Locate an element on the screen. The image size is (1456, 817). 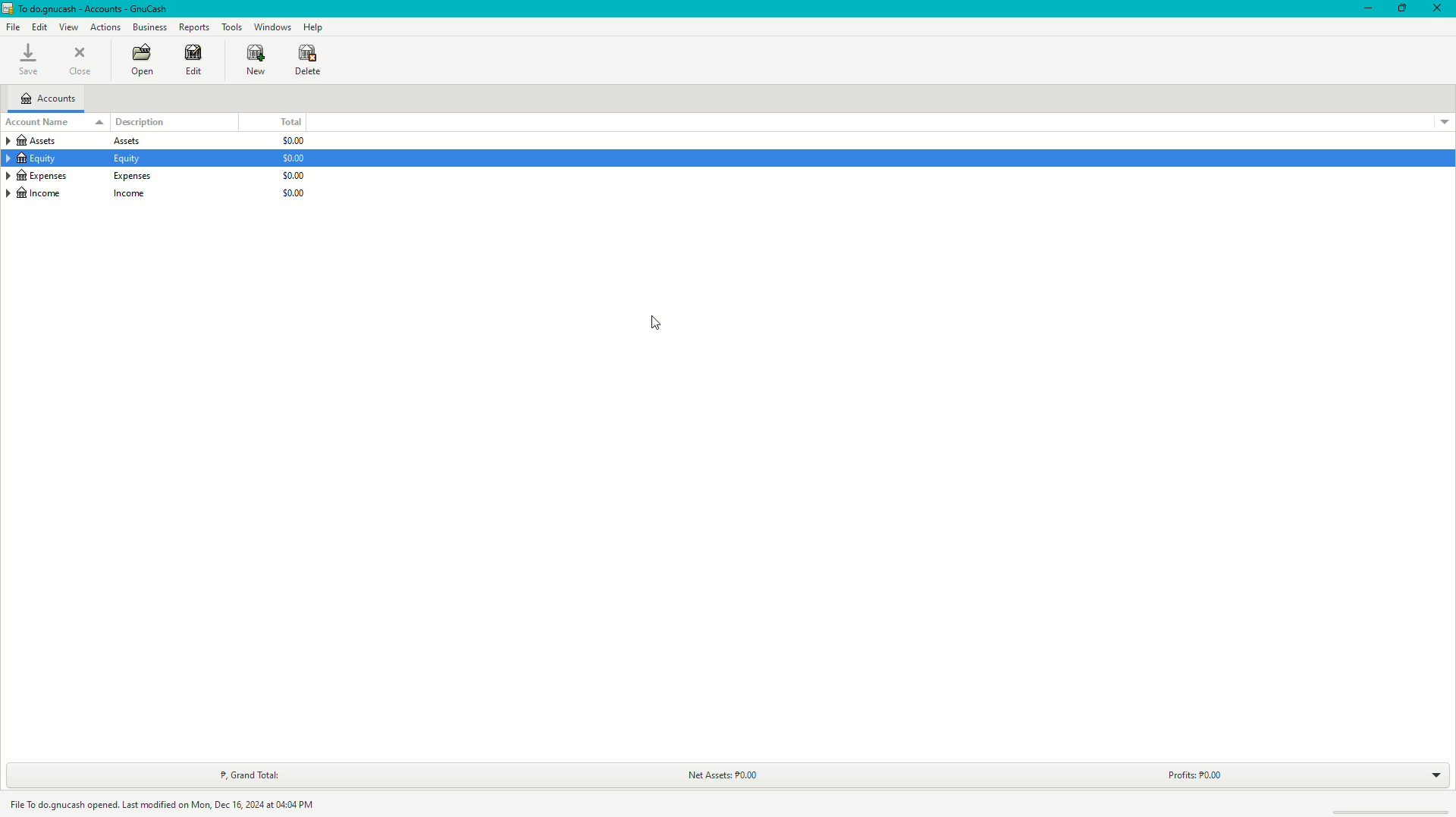
Drop down is located at coordinates (1442, 121).